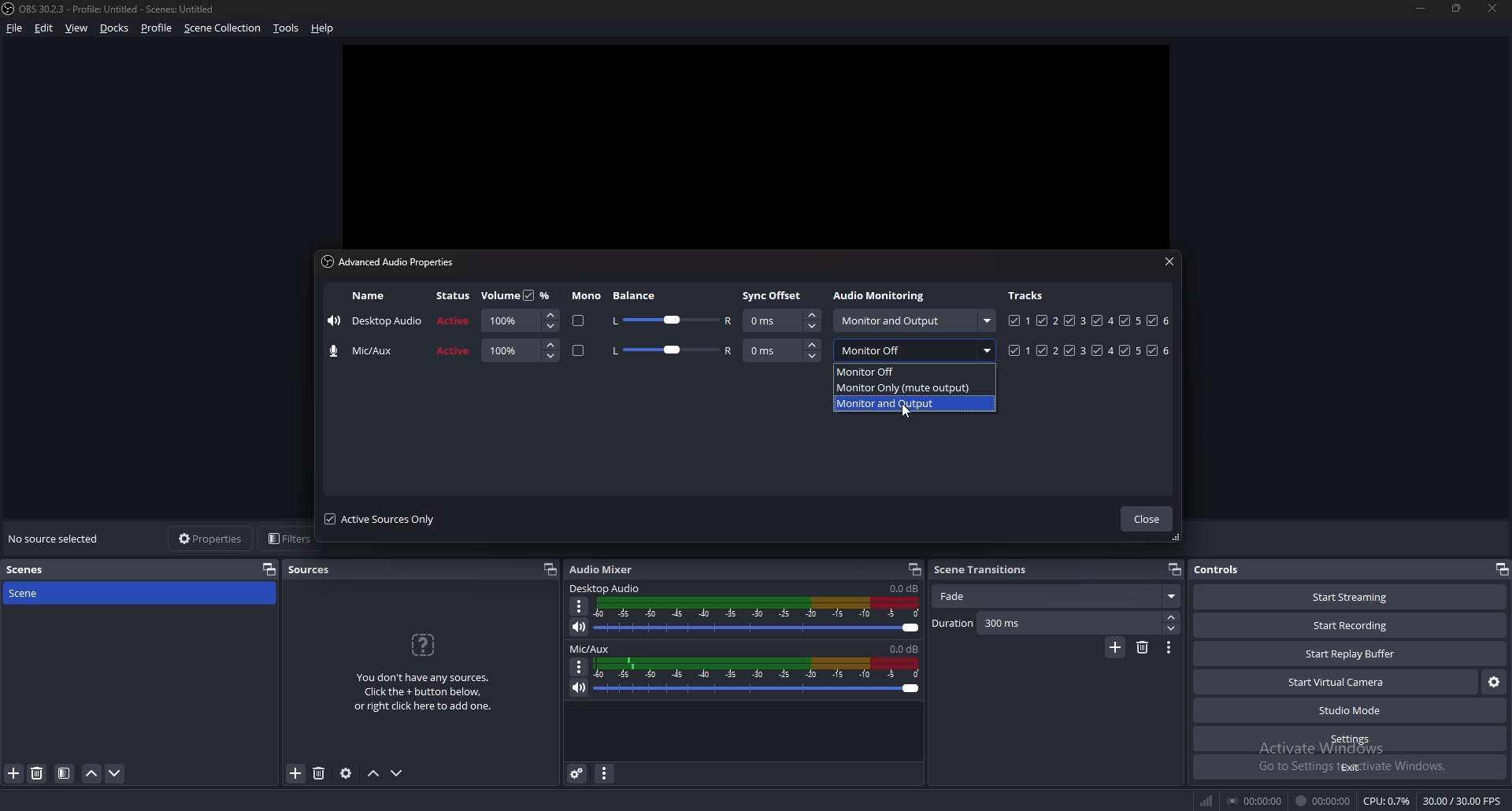 The width and height of the screenshot is (1512, 811). Describe the element at coordinates (1147, 519) in the screenshot. I see `close` at that location.